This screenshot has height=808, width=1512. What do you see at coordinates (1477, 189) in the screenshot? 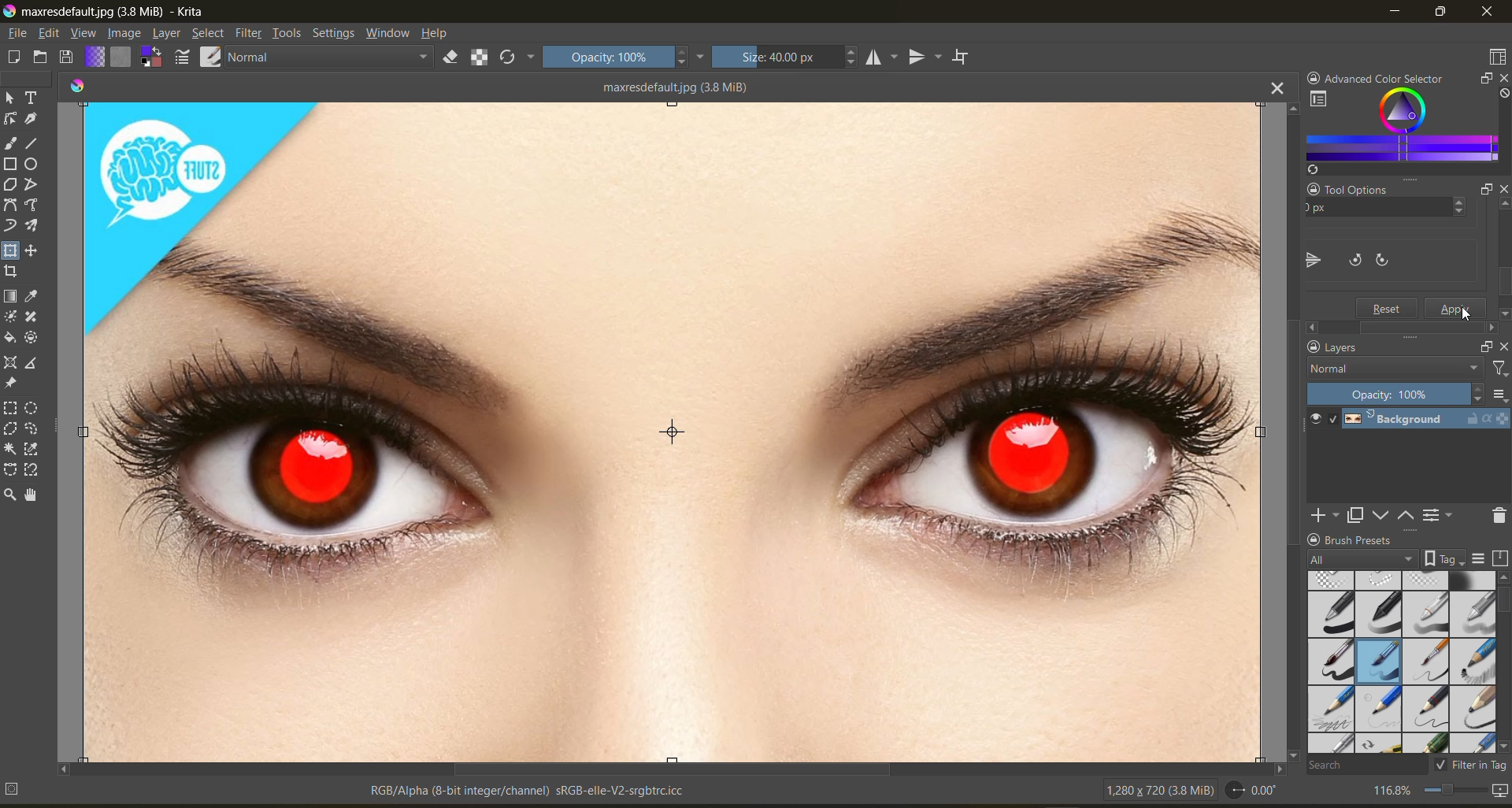
I see `Float docker` at bounding box center [1477, 189].